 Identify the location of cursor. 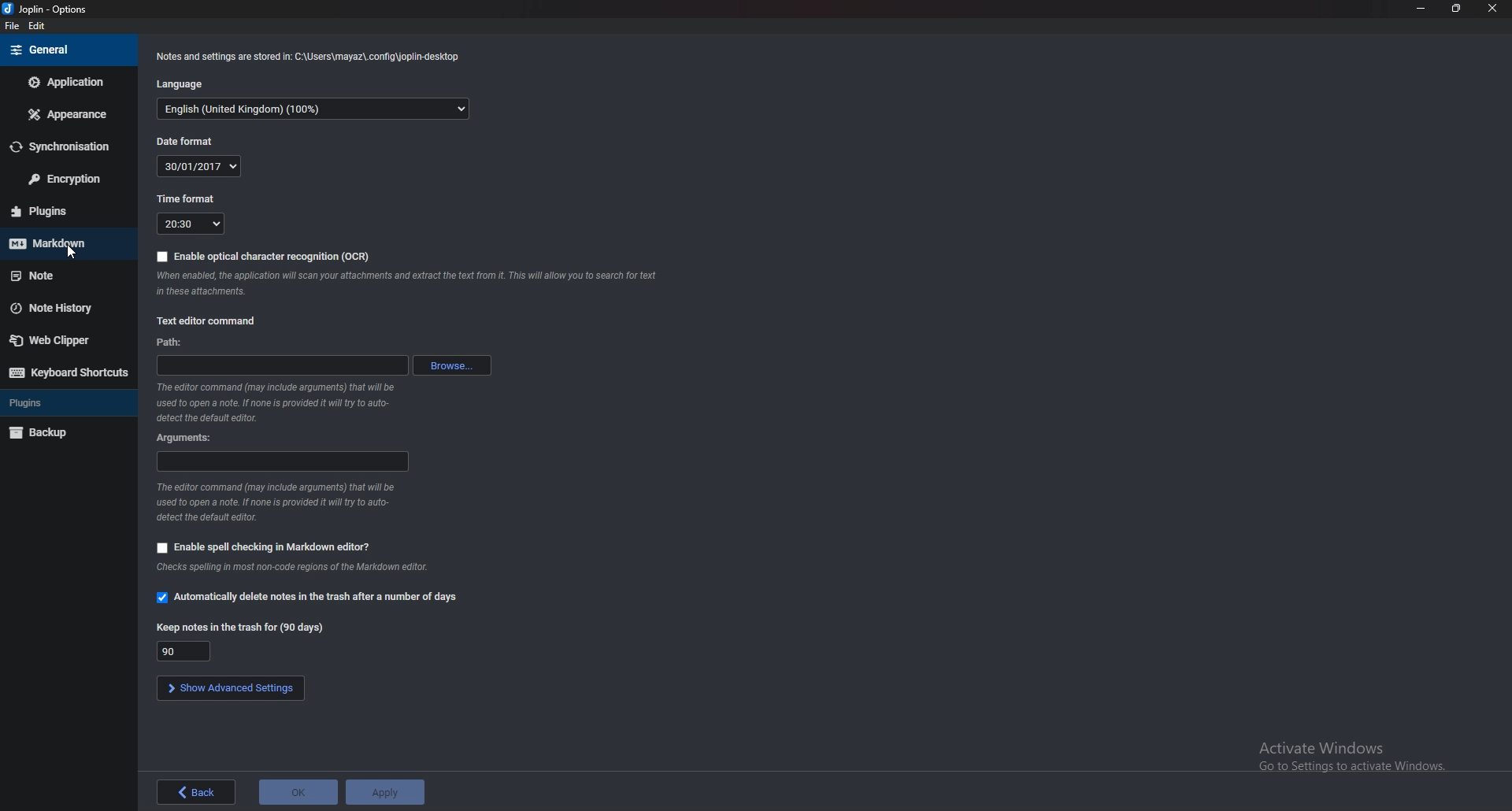
(69, 251).